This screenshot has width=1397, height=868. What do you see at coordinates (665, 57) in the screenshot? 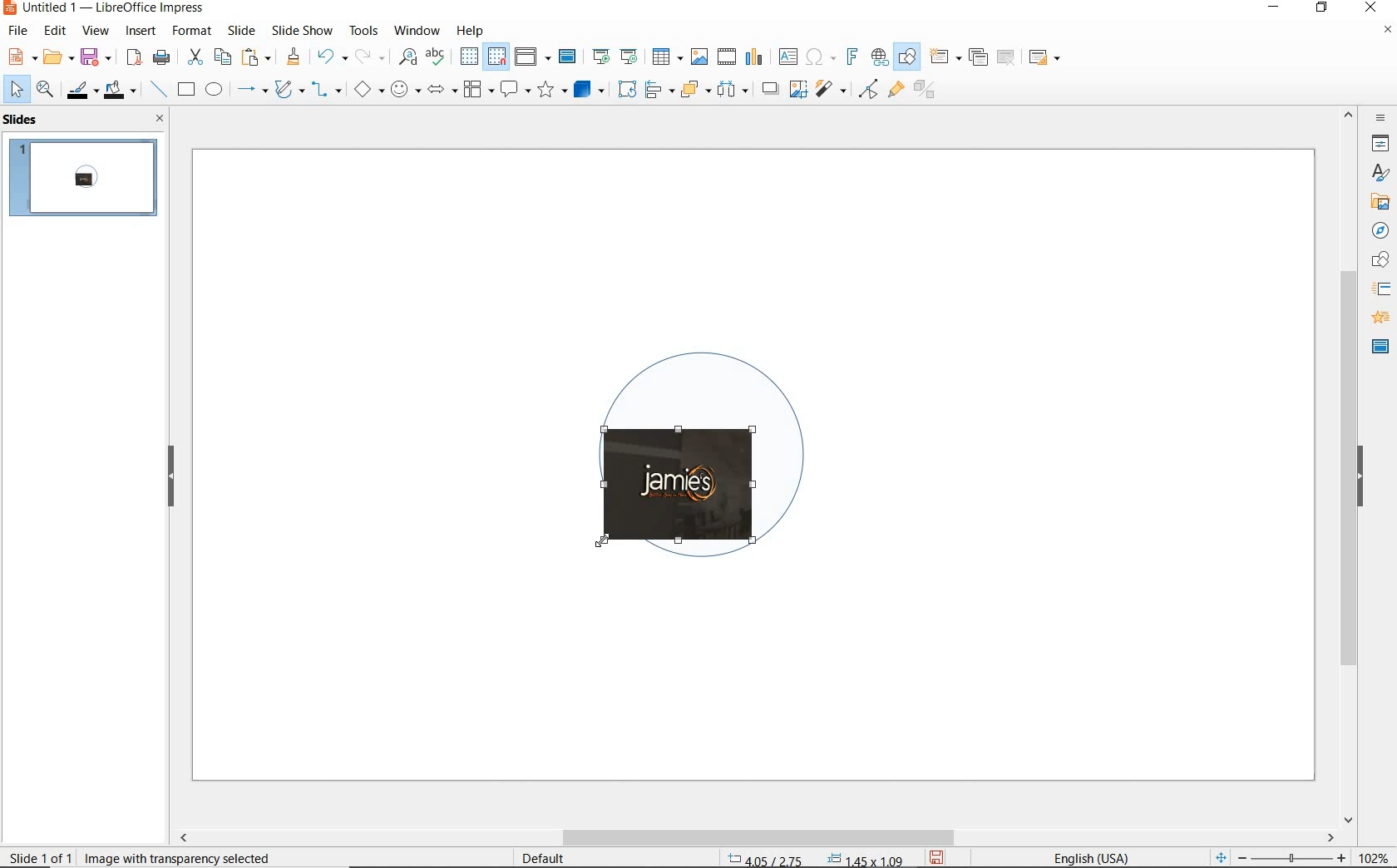
I see `insert table` at bounding box center [665, 57].